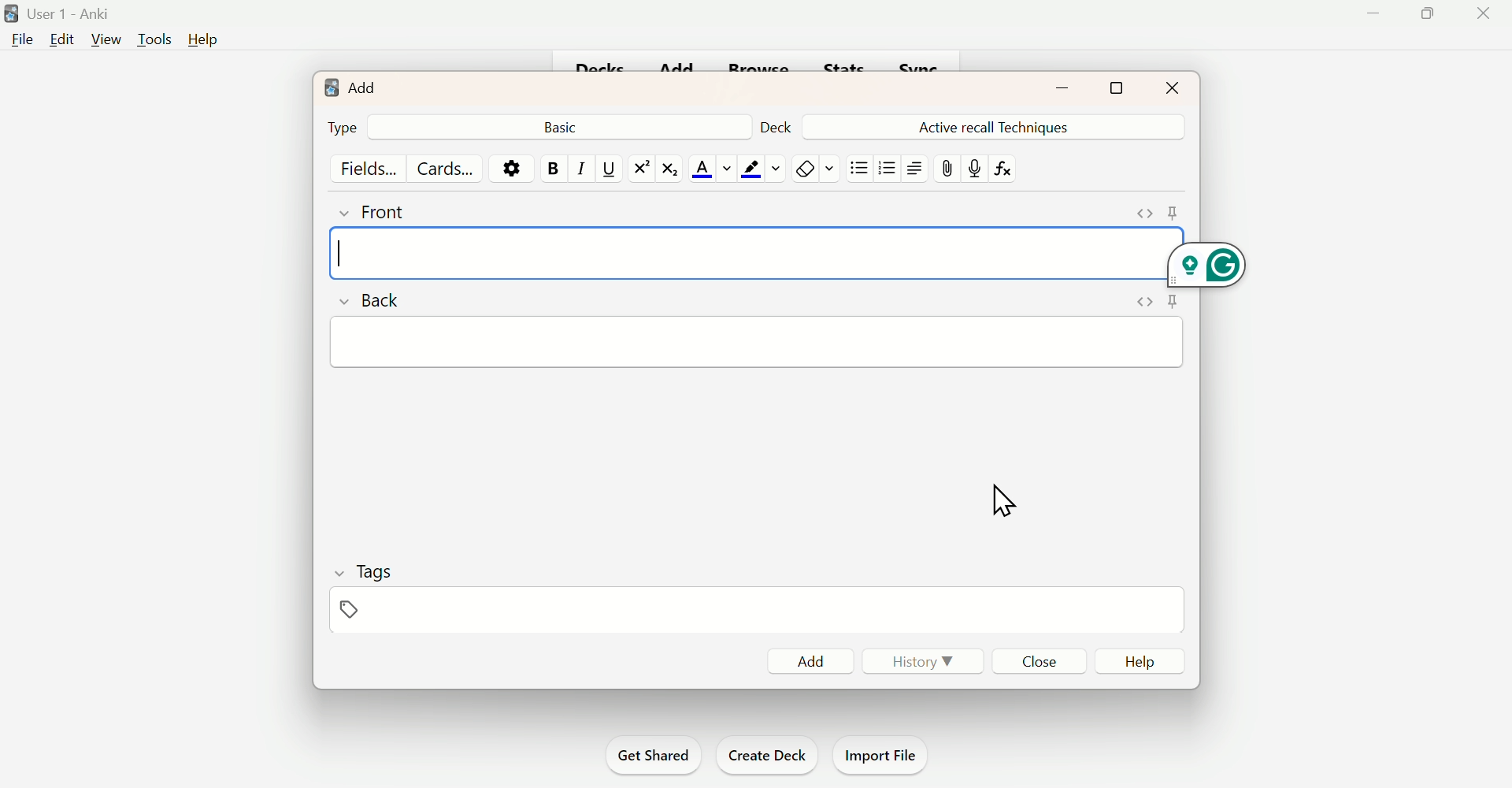 The height and width of the screenshot is (788, 1512). What do you see at coordinates (1043, 663) in the screenshot?
I see `Close` at bounding box center [1043, 663].